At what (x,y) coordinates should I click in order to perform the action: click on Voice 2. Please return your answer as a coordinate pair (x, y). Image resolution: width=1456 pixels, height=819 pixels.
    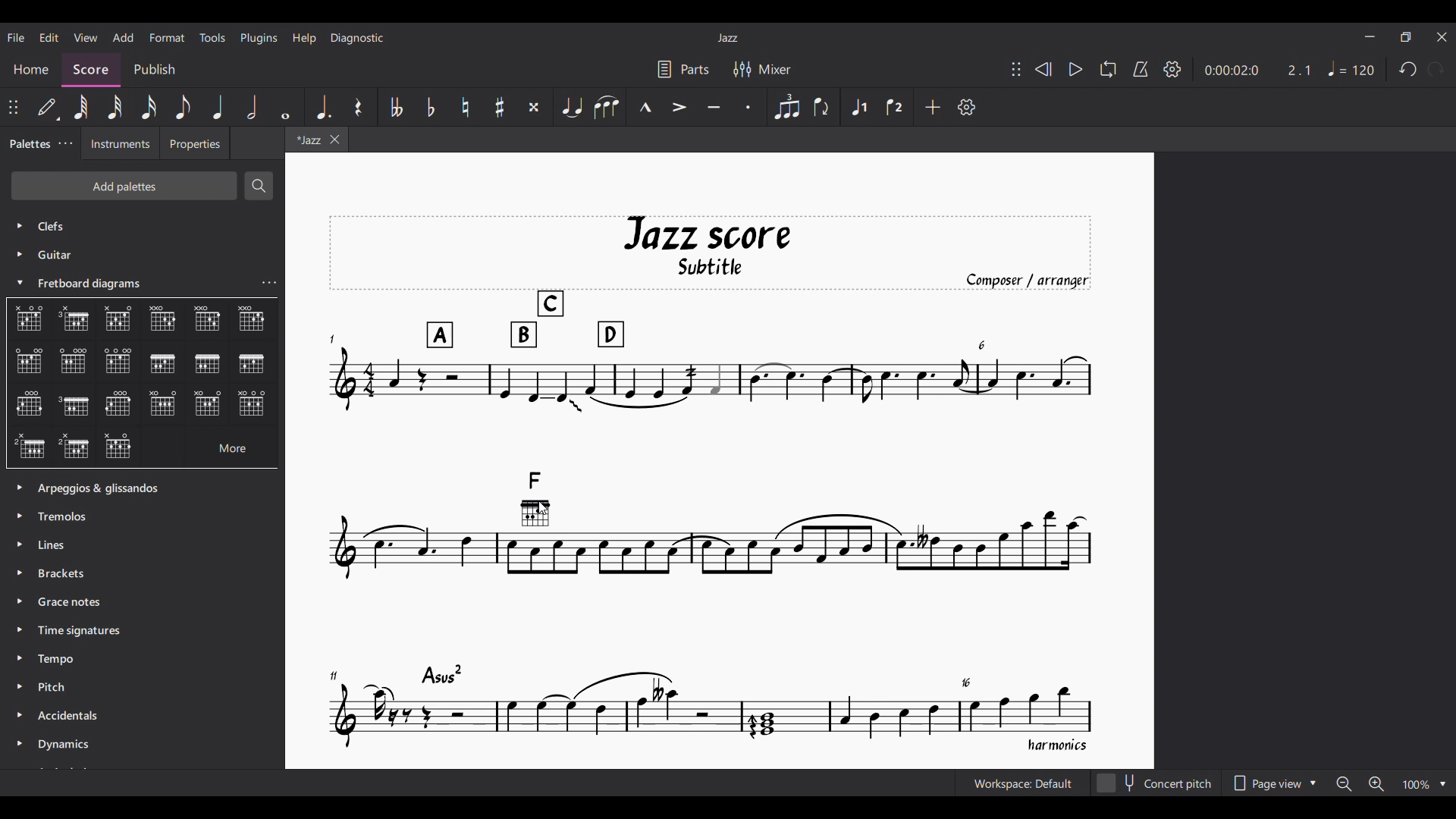
    Looking at the image, I should click on (896, 107).